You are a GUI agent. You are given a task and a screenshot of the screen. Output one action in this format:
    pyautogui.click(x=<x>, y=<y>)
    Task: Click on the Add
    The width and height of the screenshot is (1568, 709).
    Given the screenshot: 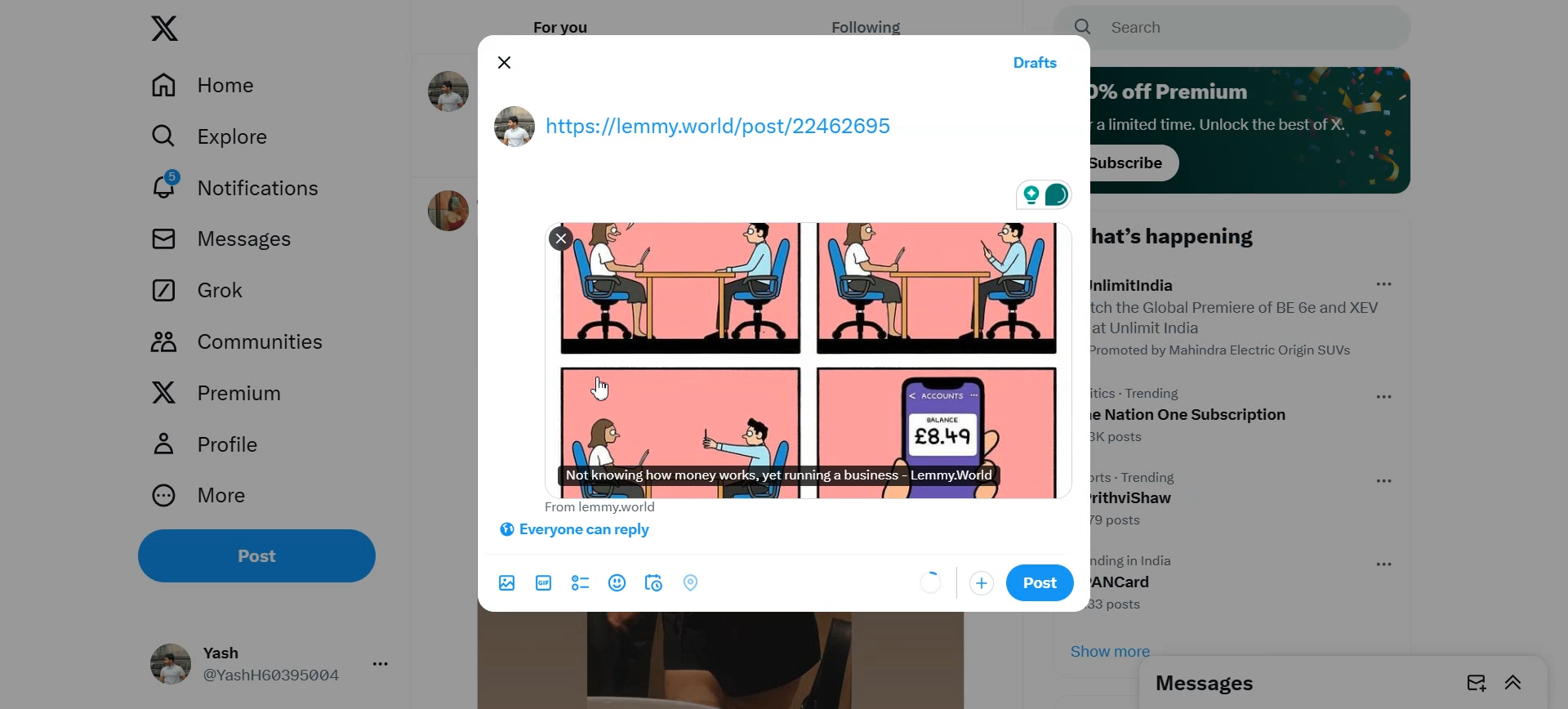 What is the action you would take?
    pyautogui.click(x=982, y=582)
    